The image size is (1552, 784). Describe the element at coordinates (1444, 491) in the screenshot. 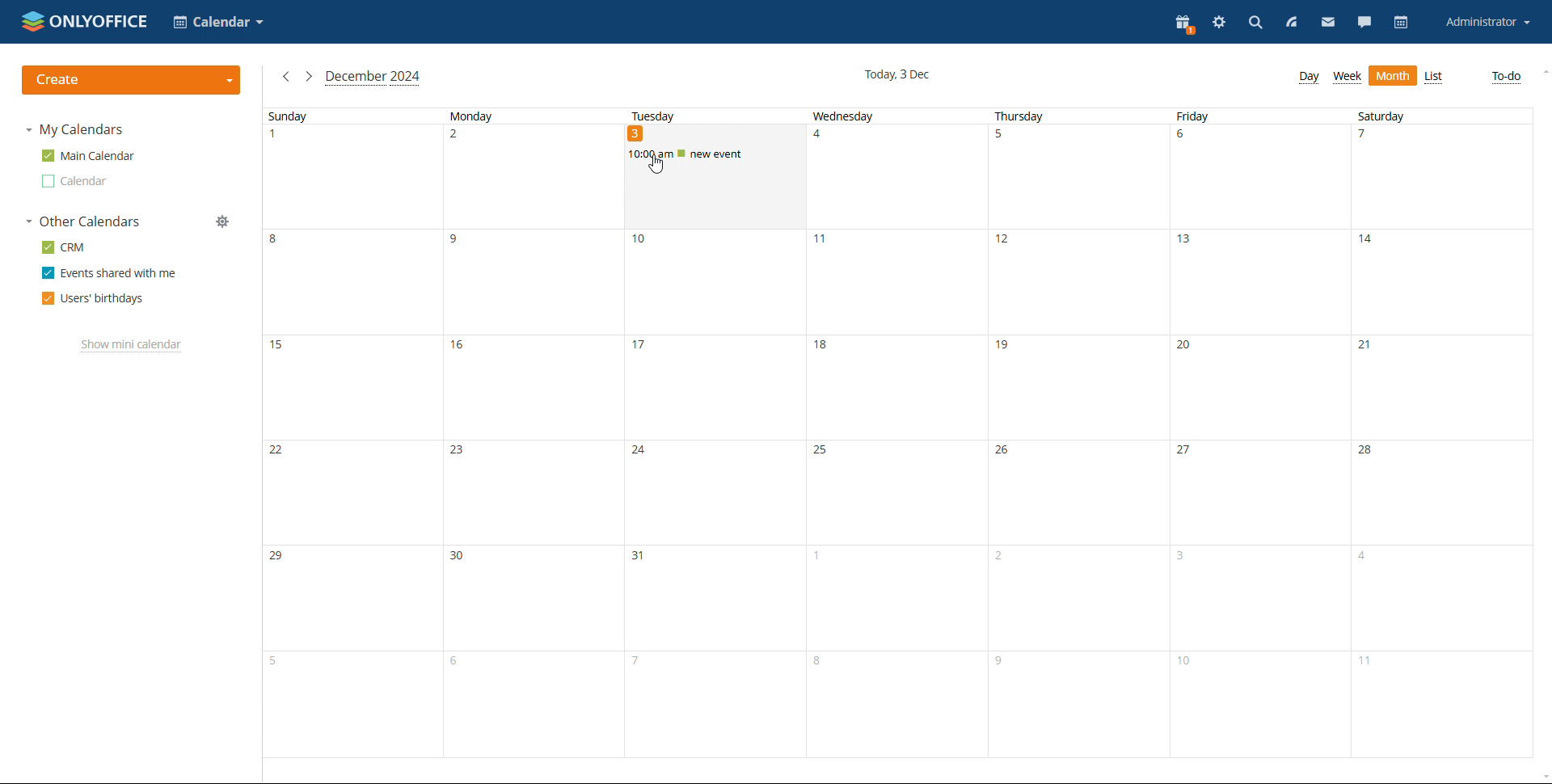

I see `28` at that location.